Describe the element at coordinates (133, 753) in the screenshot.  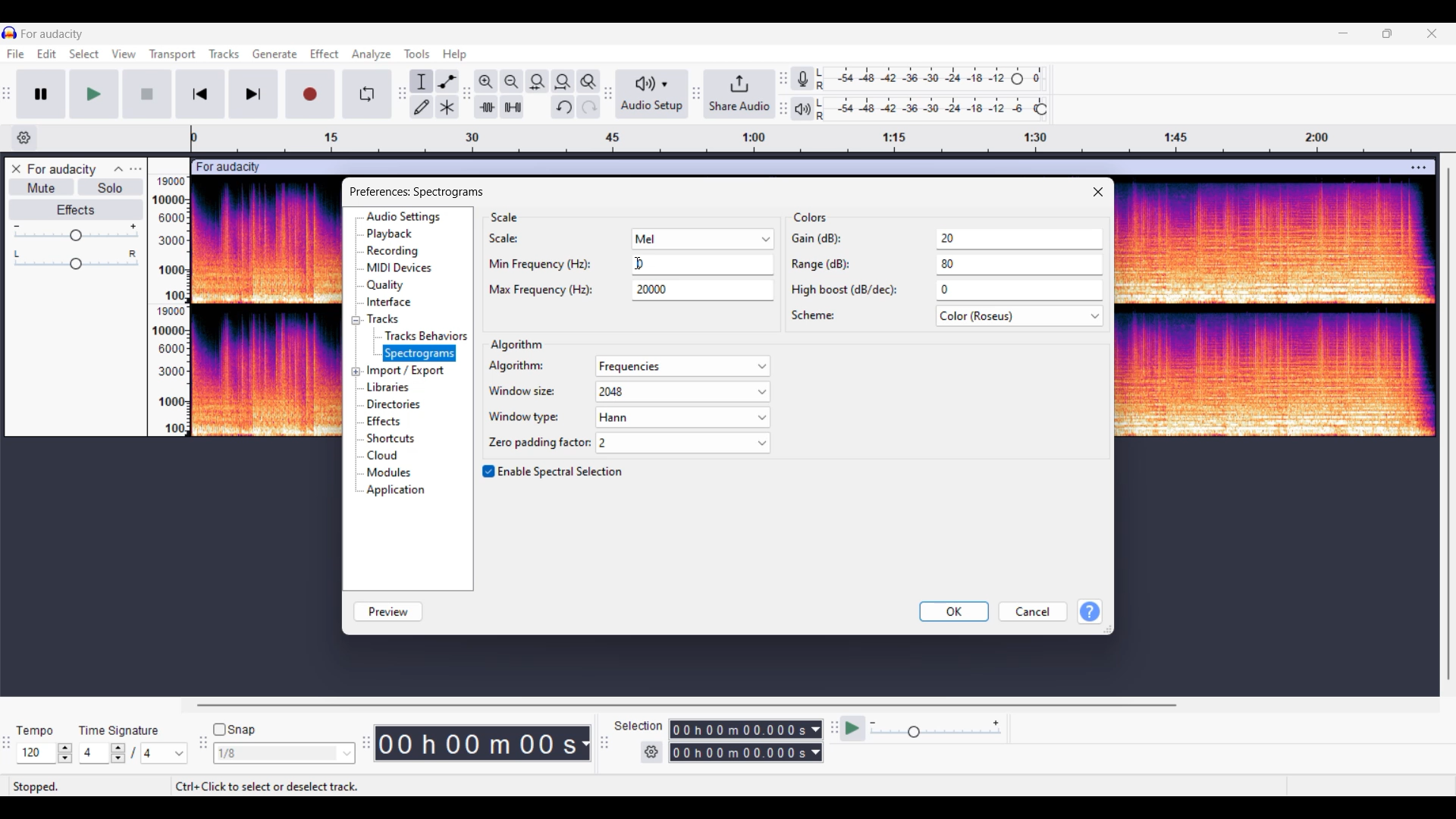
I see `Time signature settings` at that location.